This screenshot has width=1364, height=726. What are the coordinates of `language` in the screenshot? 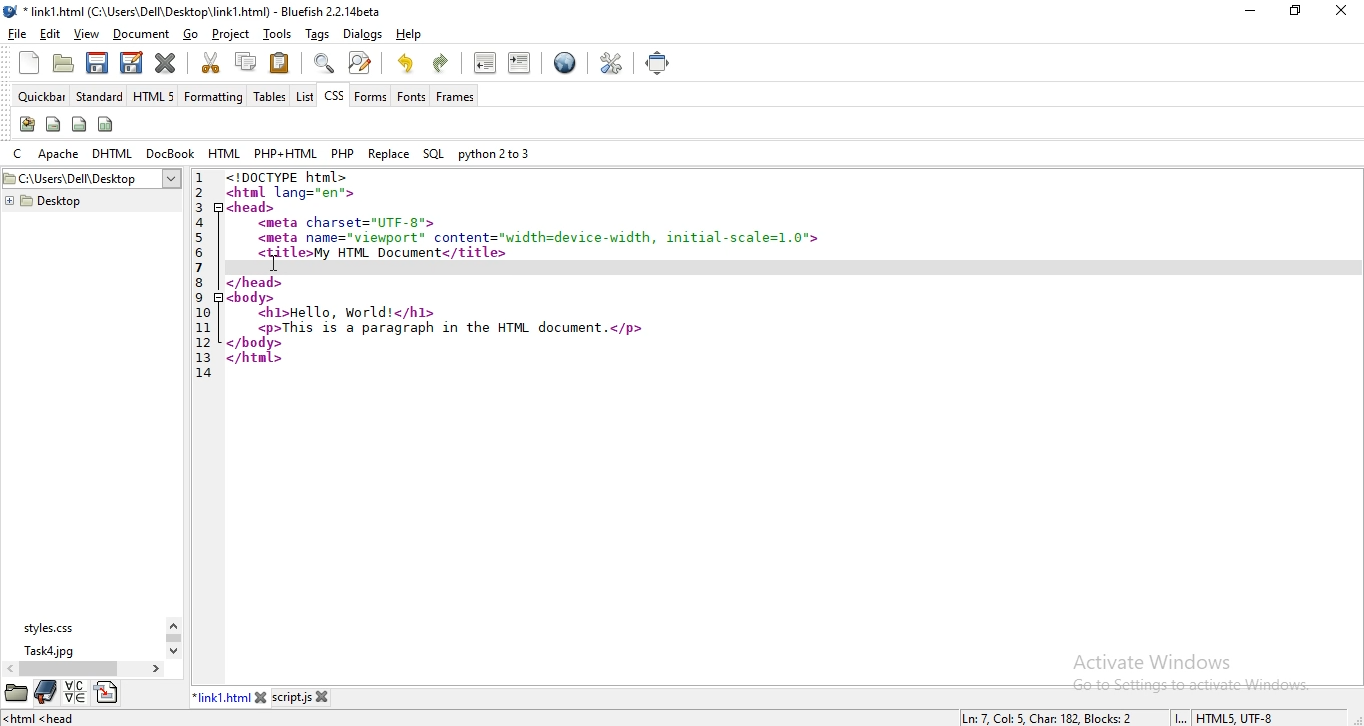 It's located at (76, 692).